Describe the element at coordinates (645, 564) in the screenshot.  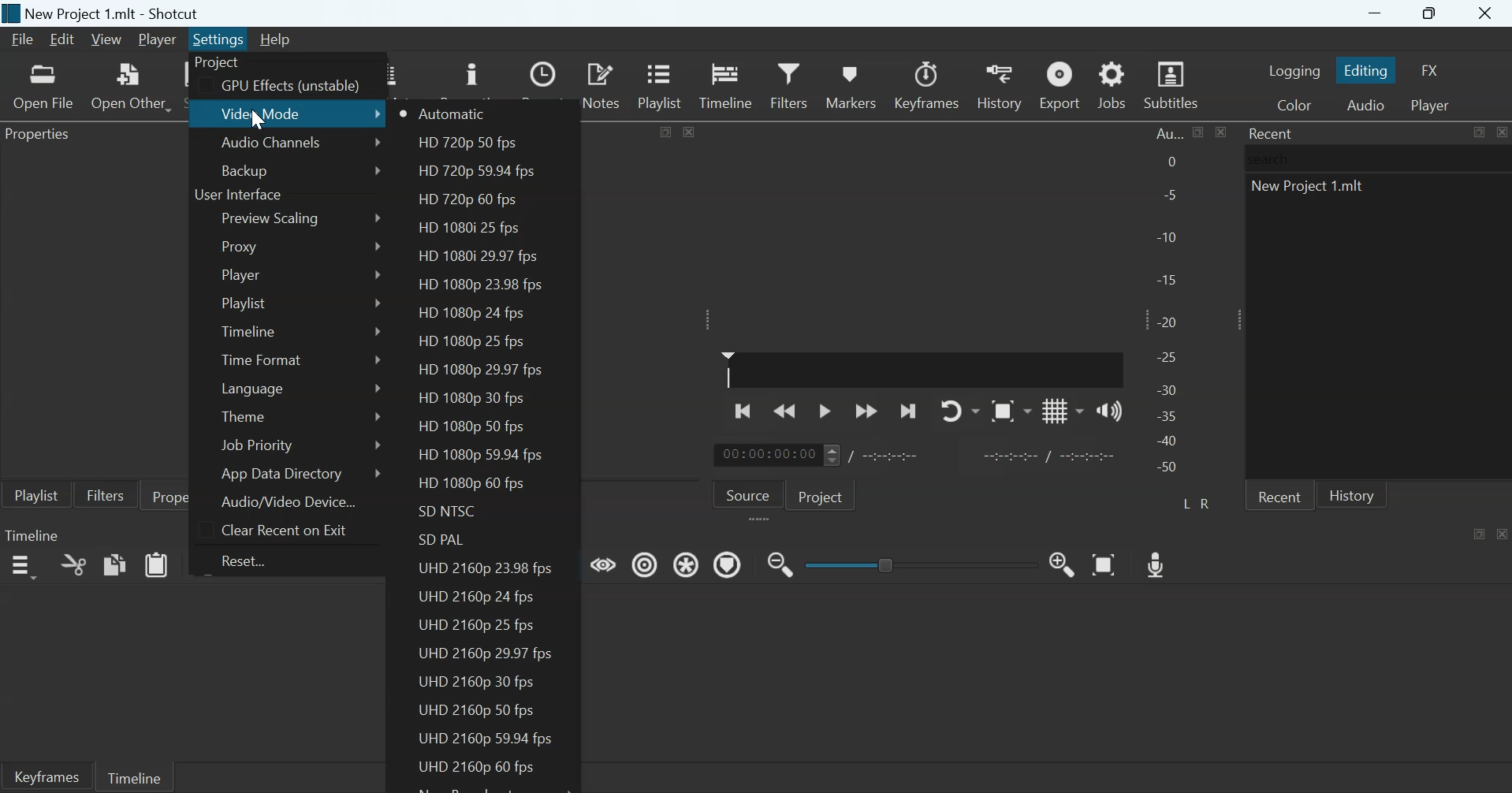
I see `Ripple` at that location.